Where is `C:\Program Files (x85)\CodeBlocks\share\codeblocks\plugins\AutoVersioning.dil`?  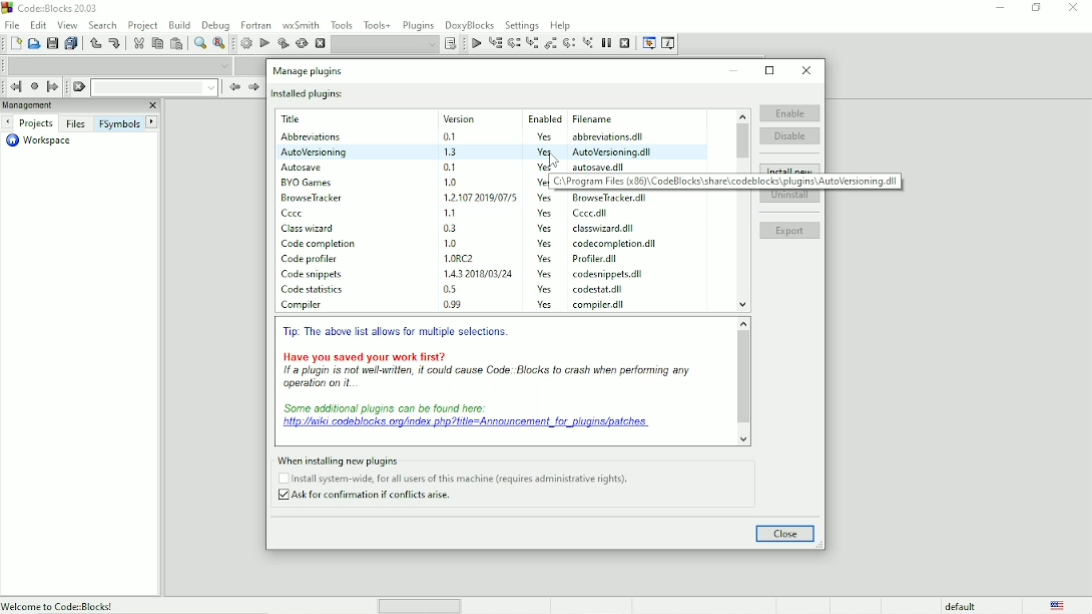 C:\Program Files (x85)\CodeBlocks\share\codeblocks\plugins\AutoVersioning.dil is located at coordinates (727, 181).